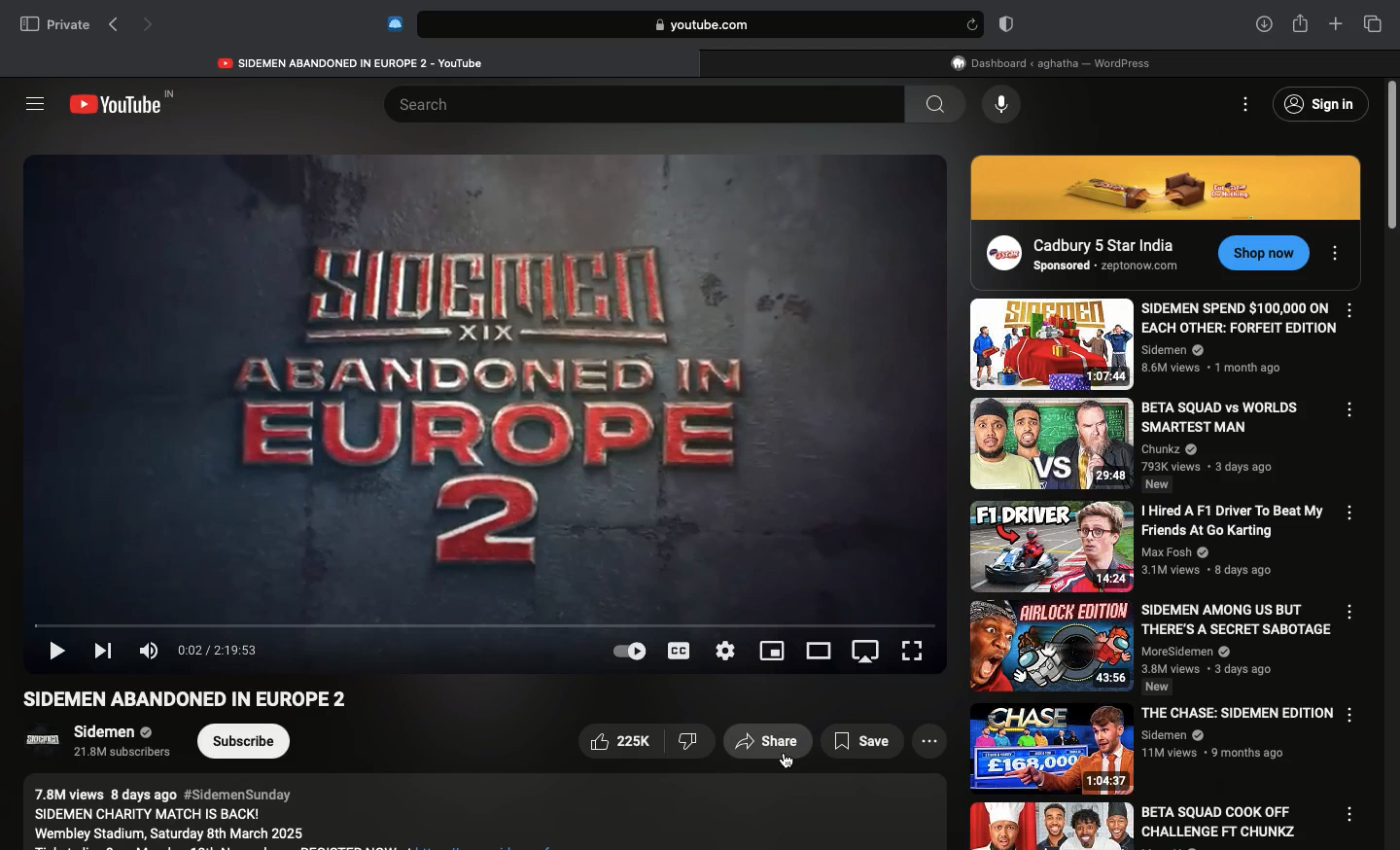 This screenshot has width=1400, height=850. What do you see at coordinates (769, 742) in the screenshot?
I see `Share` at bounding box center [769, 742].